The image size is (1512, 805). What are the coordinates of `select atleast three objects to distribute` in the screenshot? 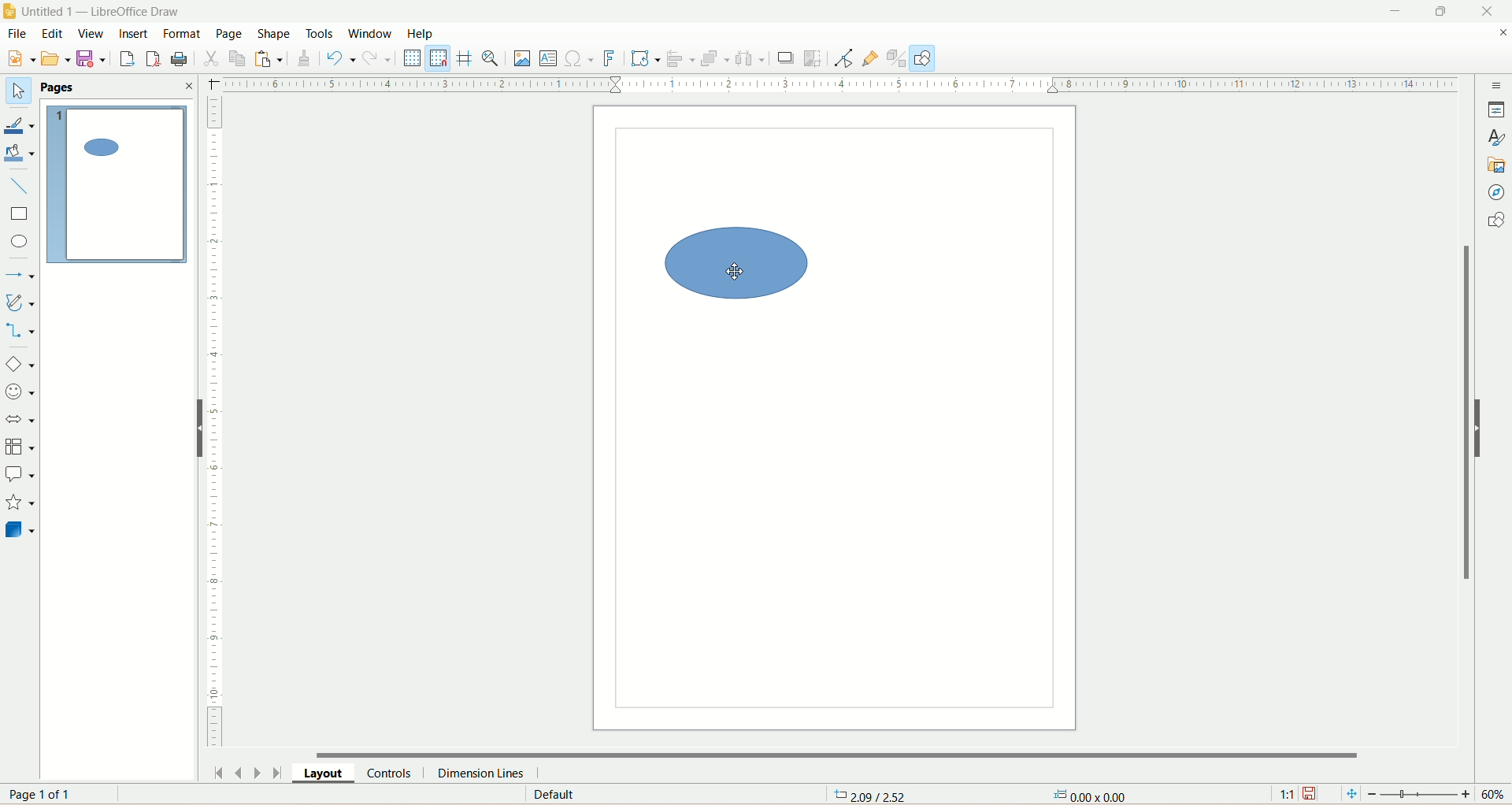 It's located at (752, 58).